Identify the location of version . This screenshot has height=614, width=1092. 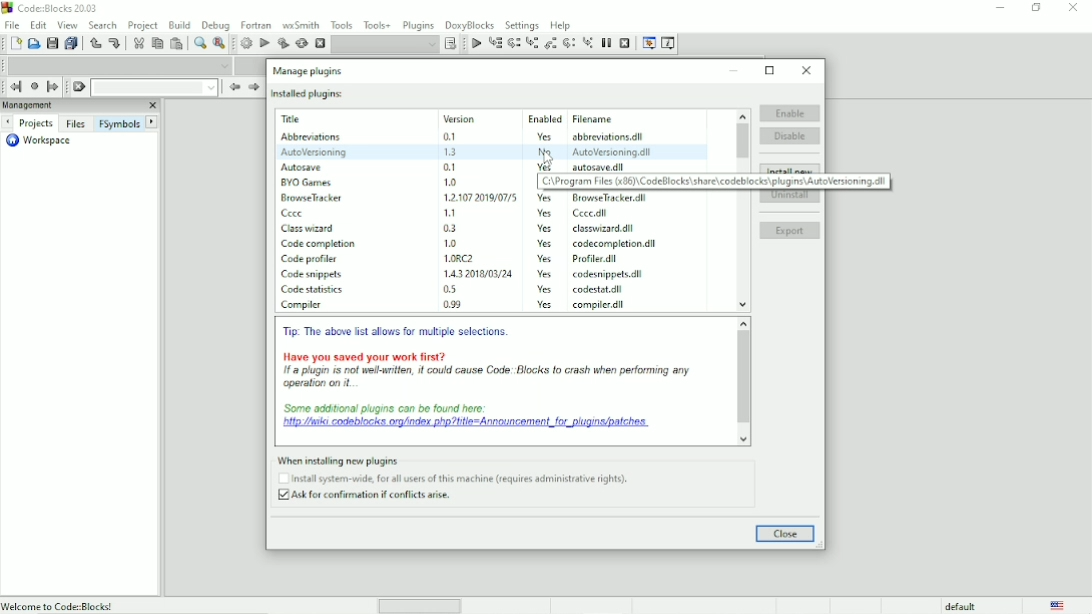
(450, 182).